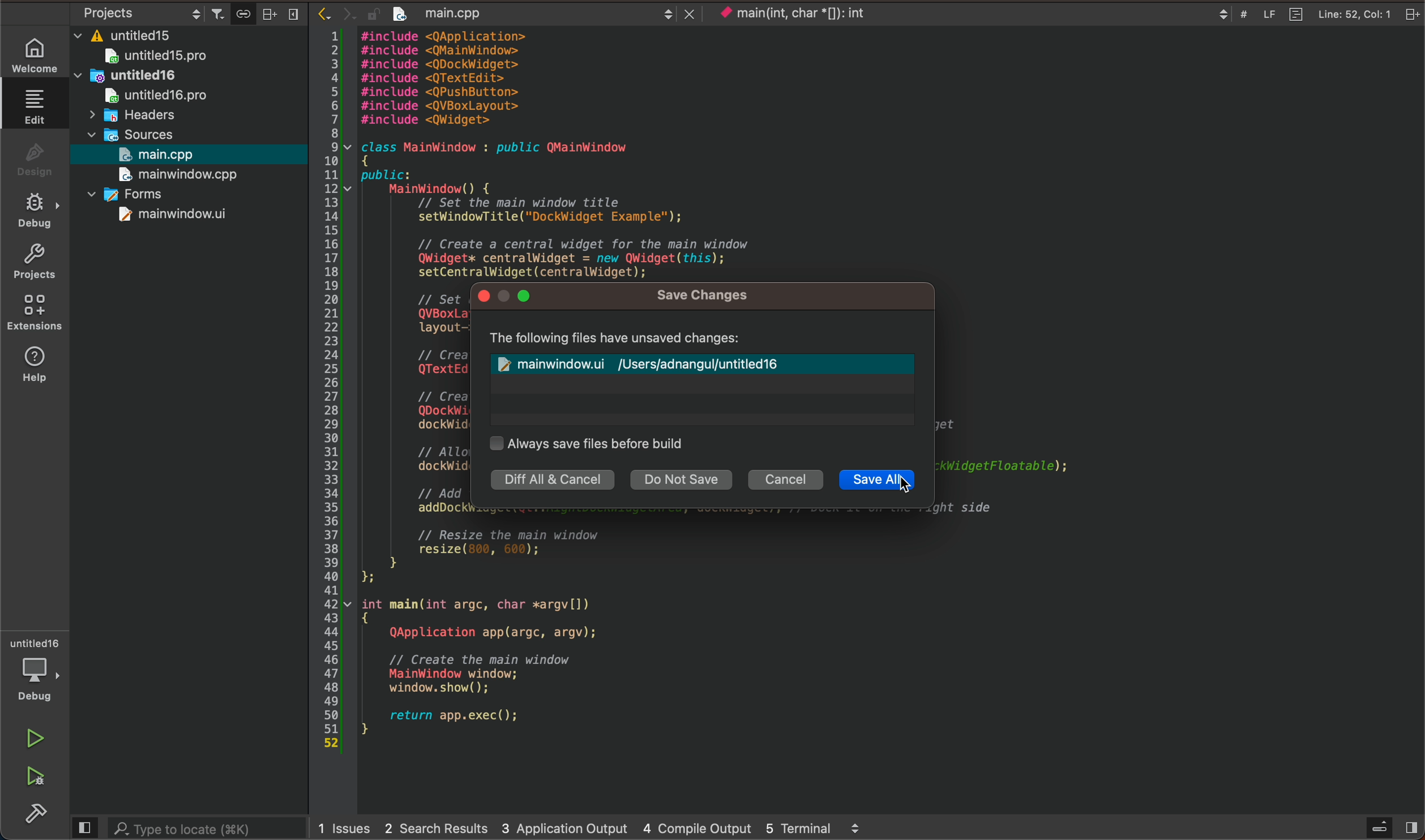 This screenshot has width=1425, height=840. Describe the element at coordinates (33, 369) in the screenshot. I see `help` at that location.